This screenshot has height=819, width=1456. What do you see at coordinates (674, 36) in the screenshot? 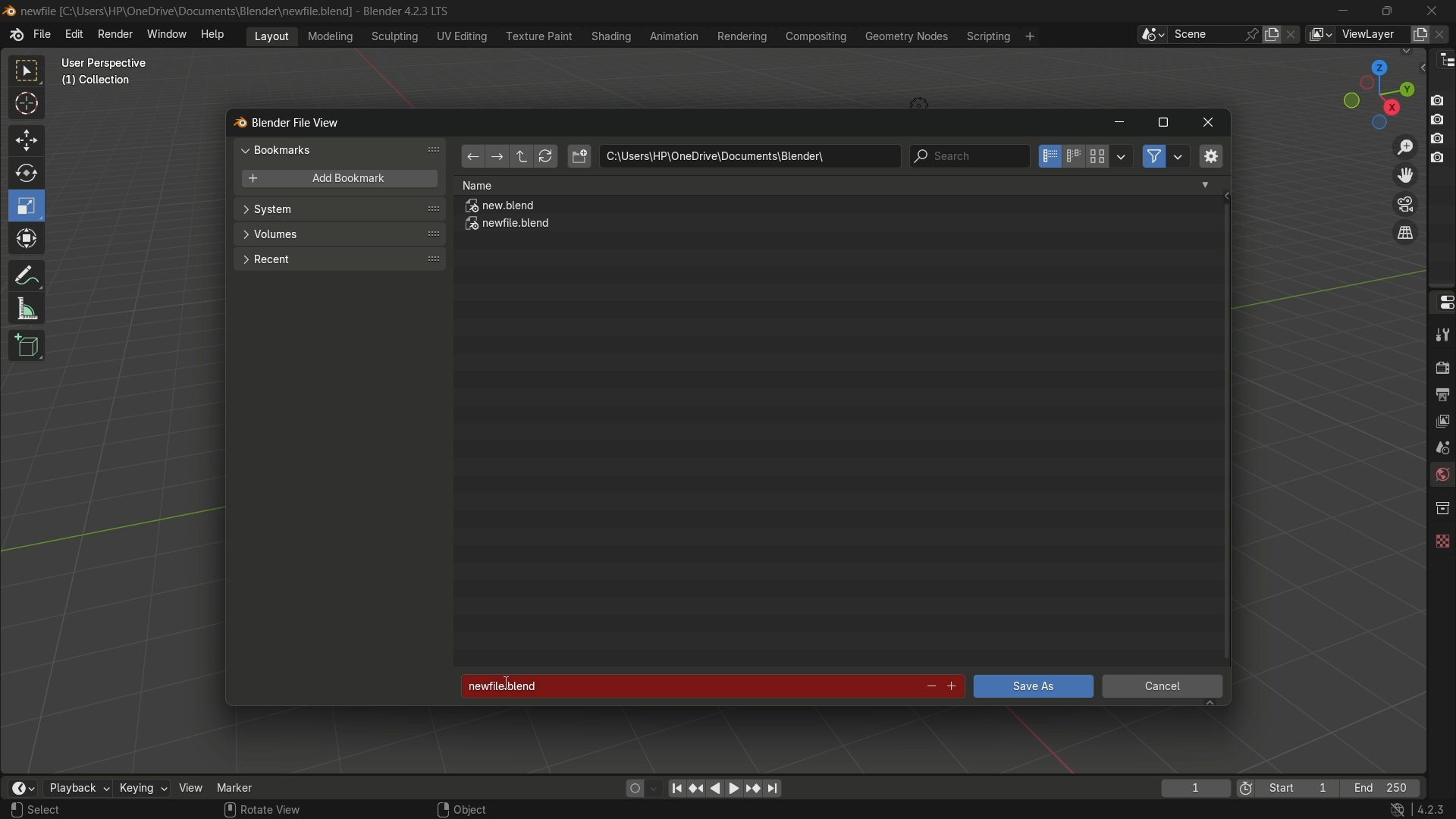
I see `animation menu` at bounding box center [674, 36].